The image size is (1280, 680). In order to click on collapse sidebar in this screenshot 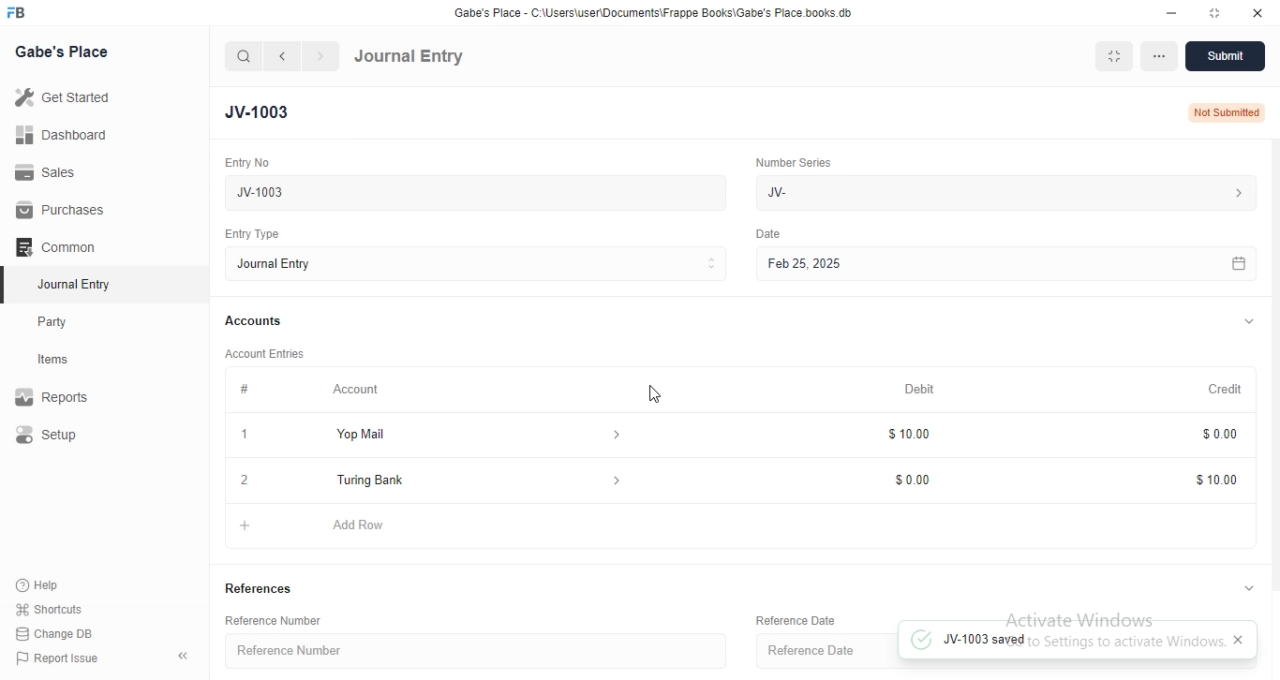, I will do `click(183, 657)`.